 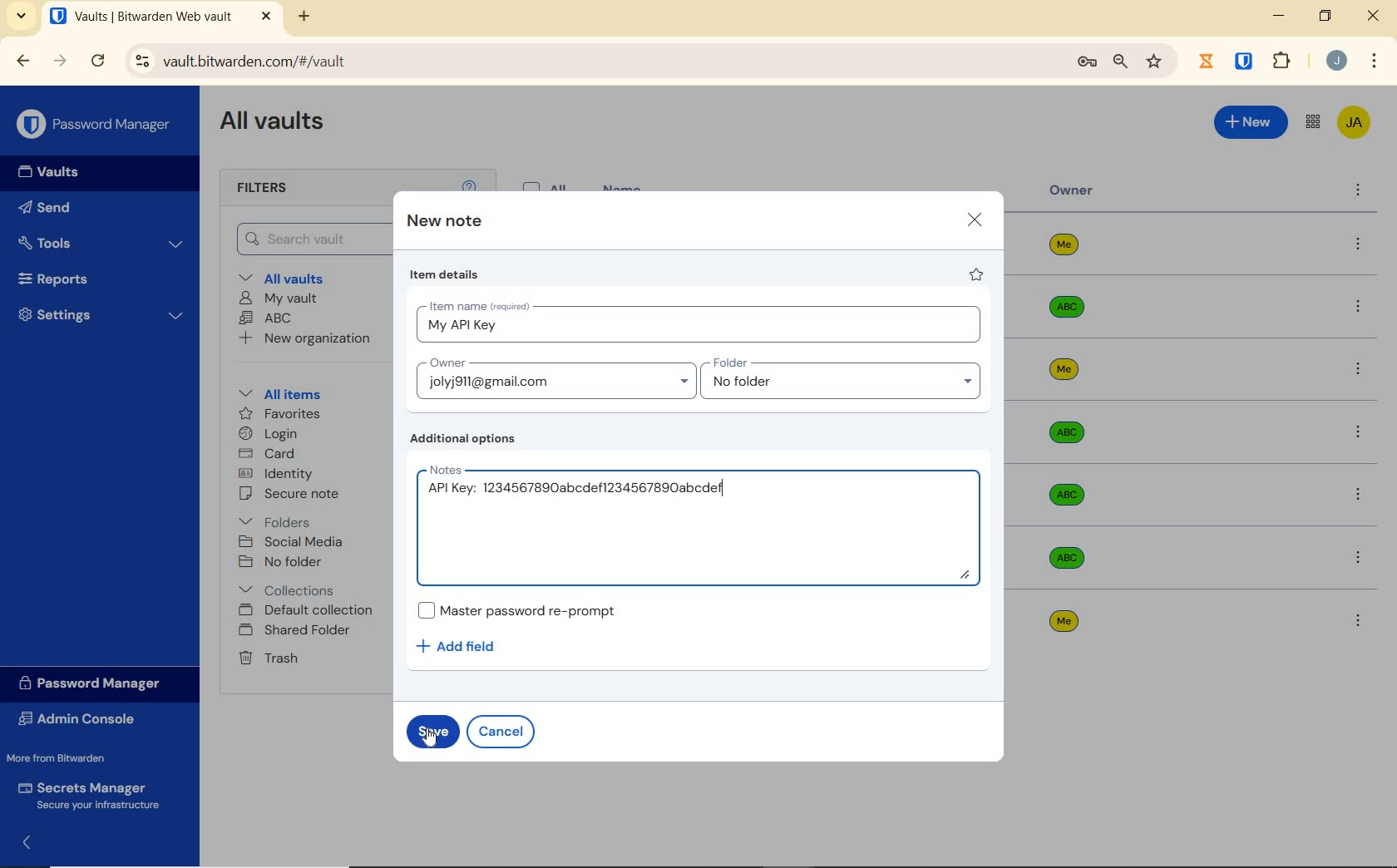 I want to click on name, so click(x=624, y=186).